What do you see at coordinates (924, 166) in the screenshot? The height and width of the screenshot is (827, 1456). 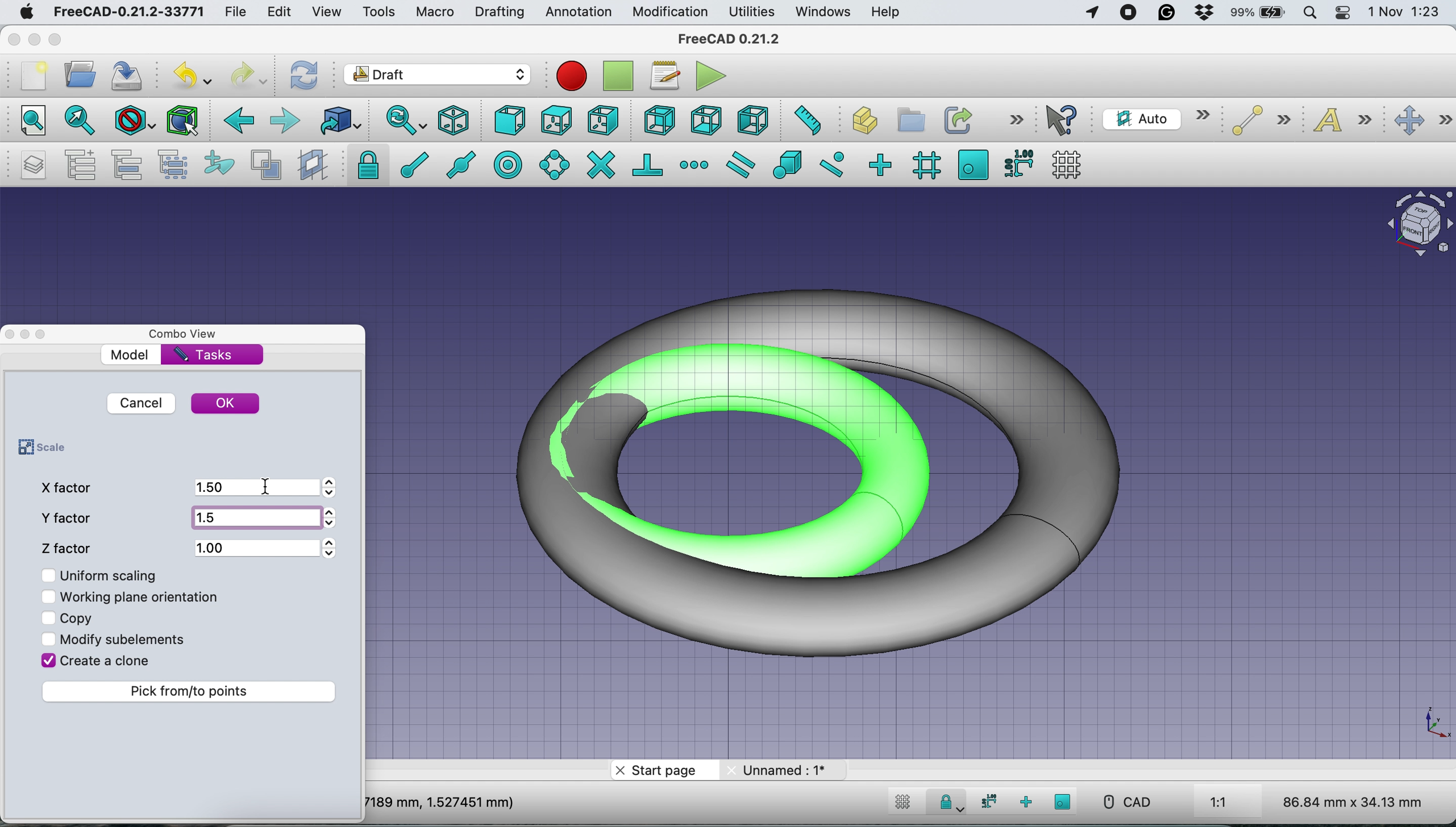 I see `snap grid` at bounding box center [924, 166].